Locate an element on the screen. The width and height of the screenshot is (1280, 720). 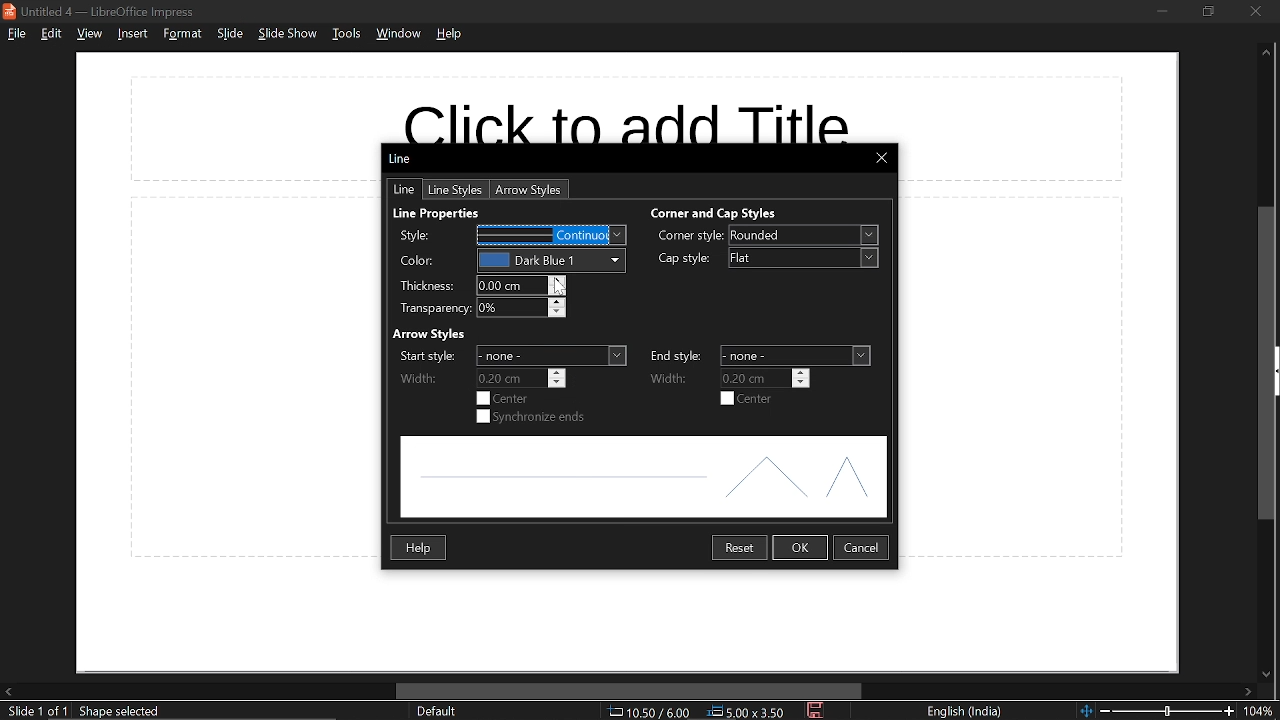
synchronize ends is located at coordinates (530, 417).